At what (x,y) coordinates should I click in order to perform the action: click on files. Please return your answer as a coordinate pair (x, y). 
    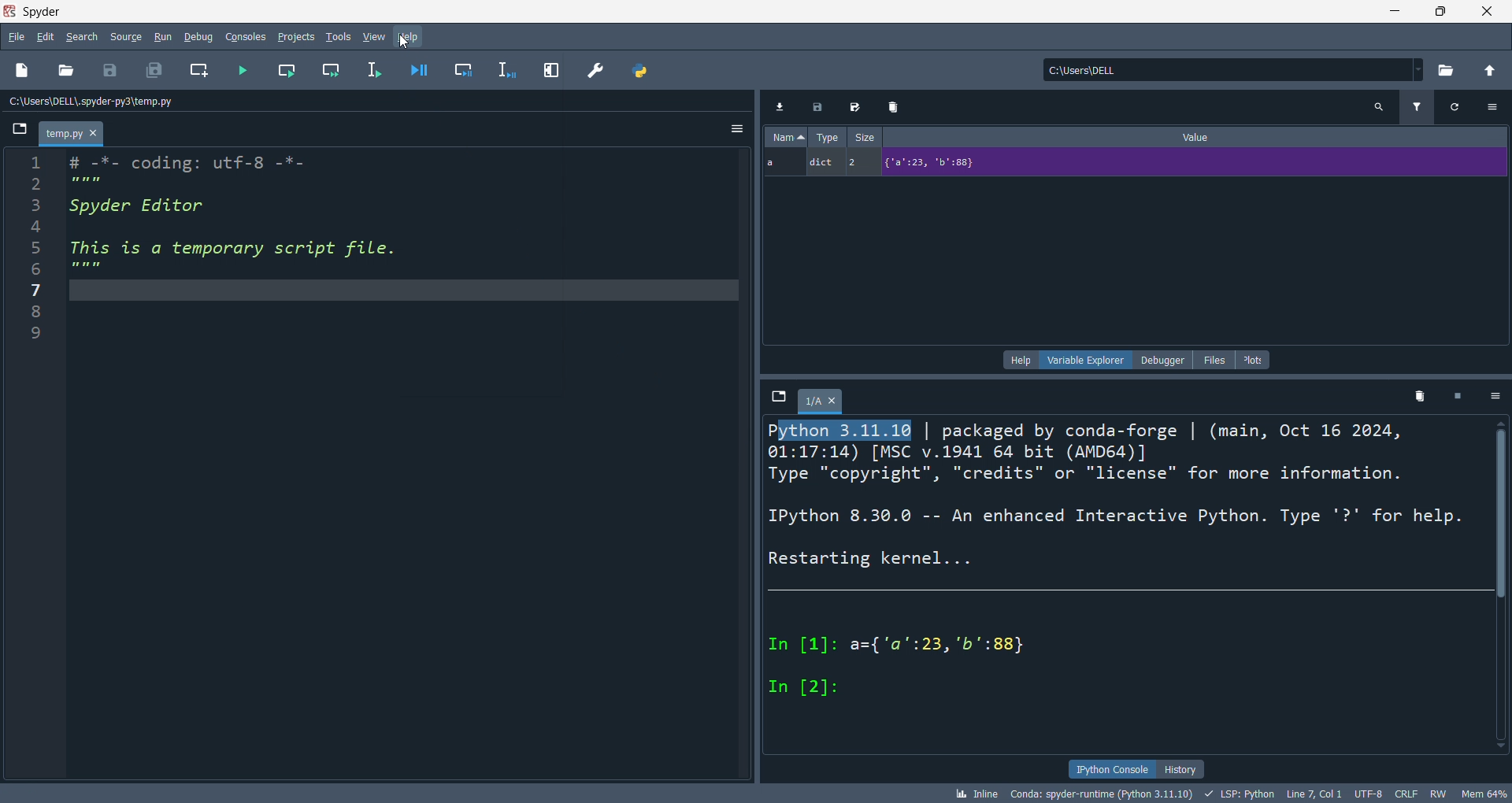
    Looking at the image, I should click on (1217, 359).